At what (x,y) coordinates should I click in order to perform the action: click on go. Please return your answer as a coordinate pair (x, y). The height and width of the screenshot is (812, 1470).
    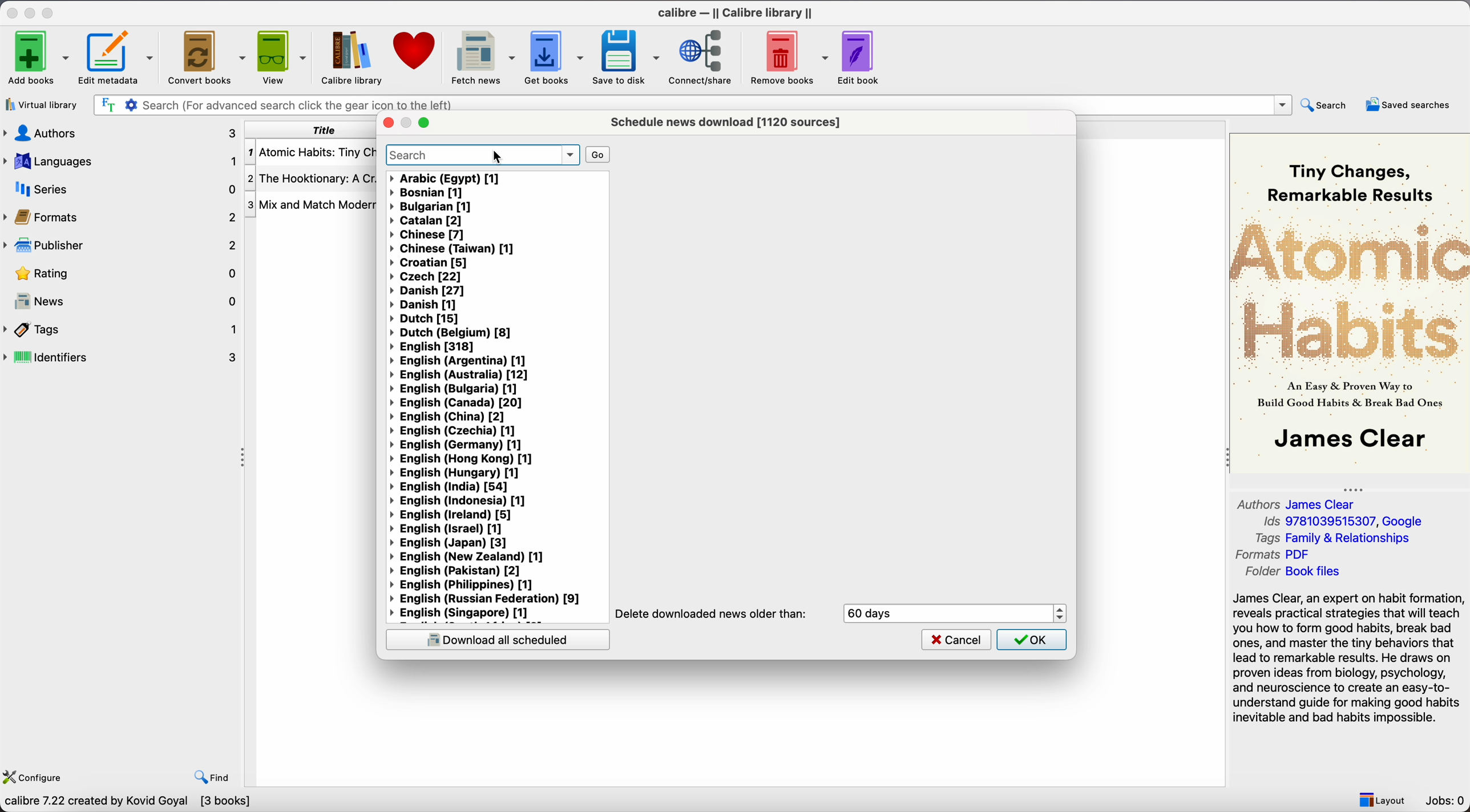
    Looking at the image, I should click on (597, 153).